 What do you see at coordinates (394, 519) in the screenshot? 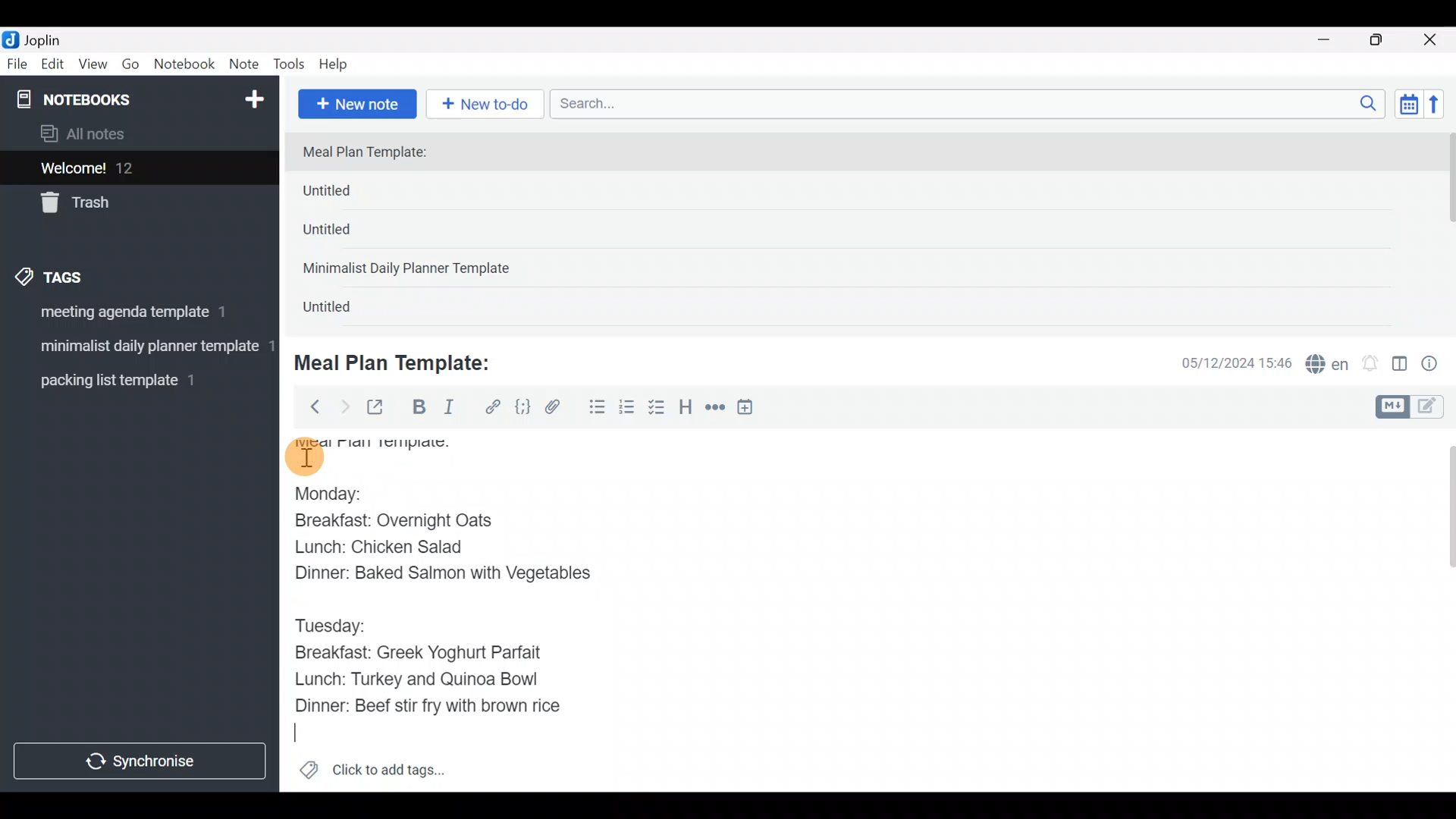
I see `Breakfast: Overnight Oats` at bounding box center [394, 519].